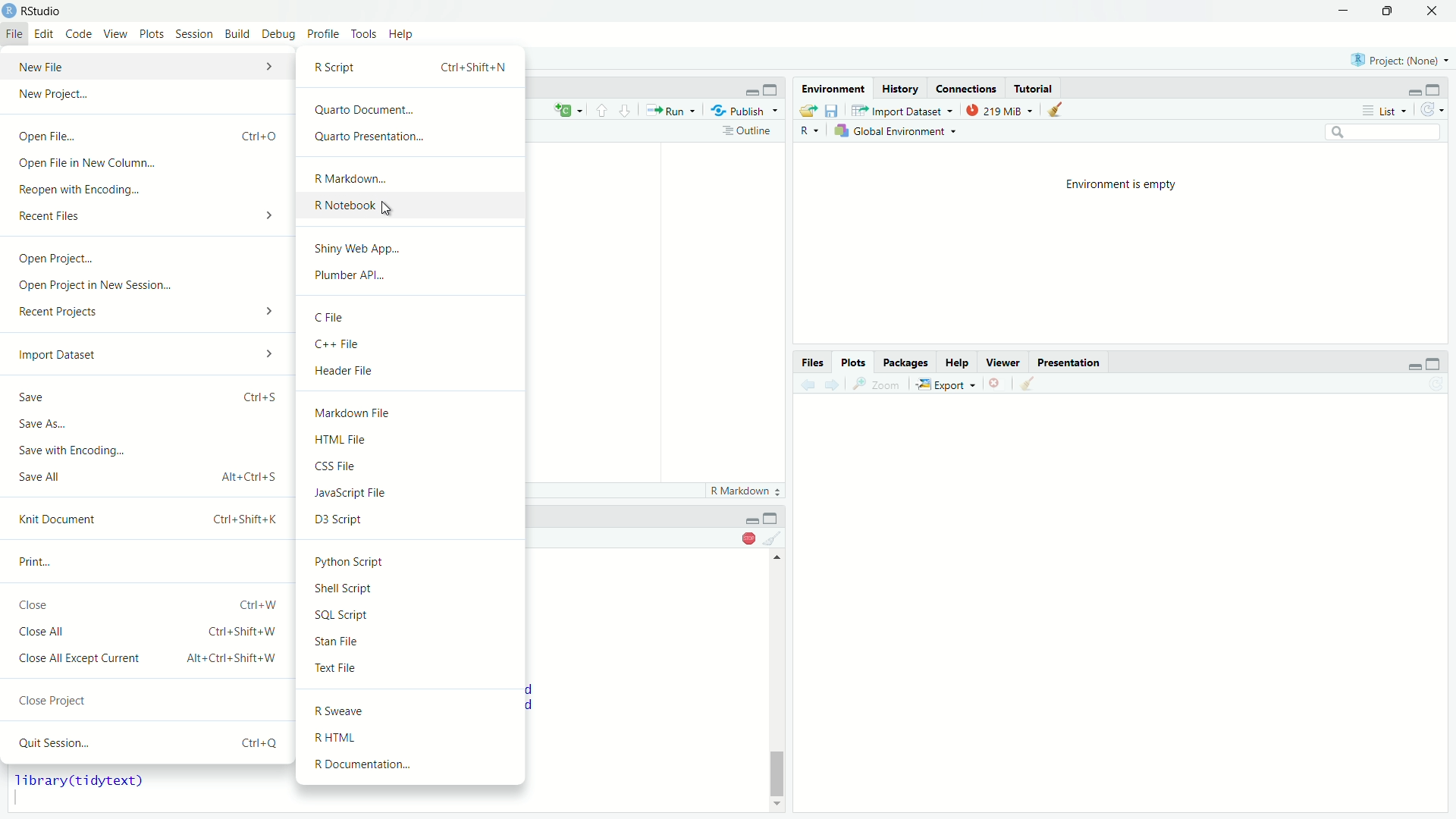 This screenshot has height=819, width=1456. What do you see at coordinates (412, 588) in the screenshot?
I see `Shell Script` at bounding box center [412, 588].